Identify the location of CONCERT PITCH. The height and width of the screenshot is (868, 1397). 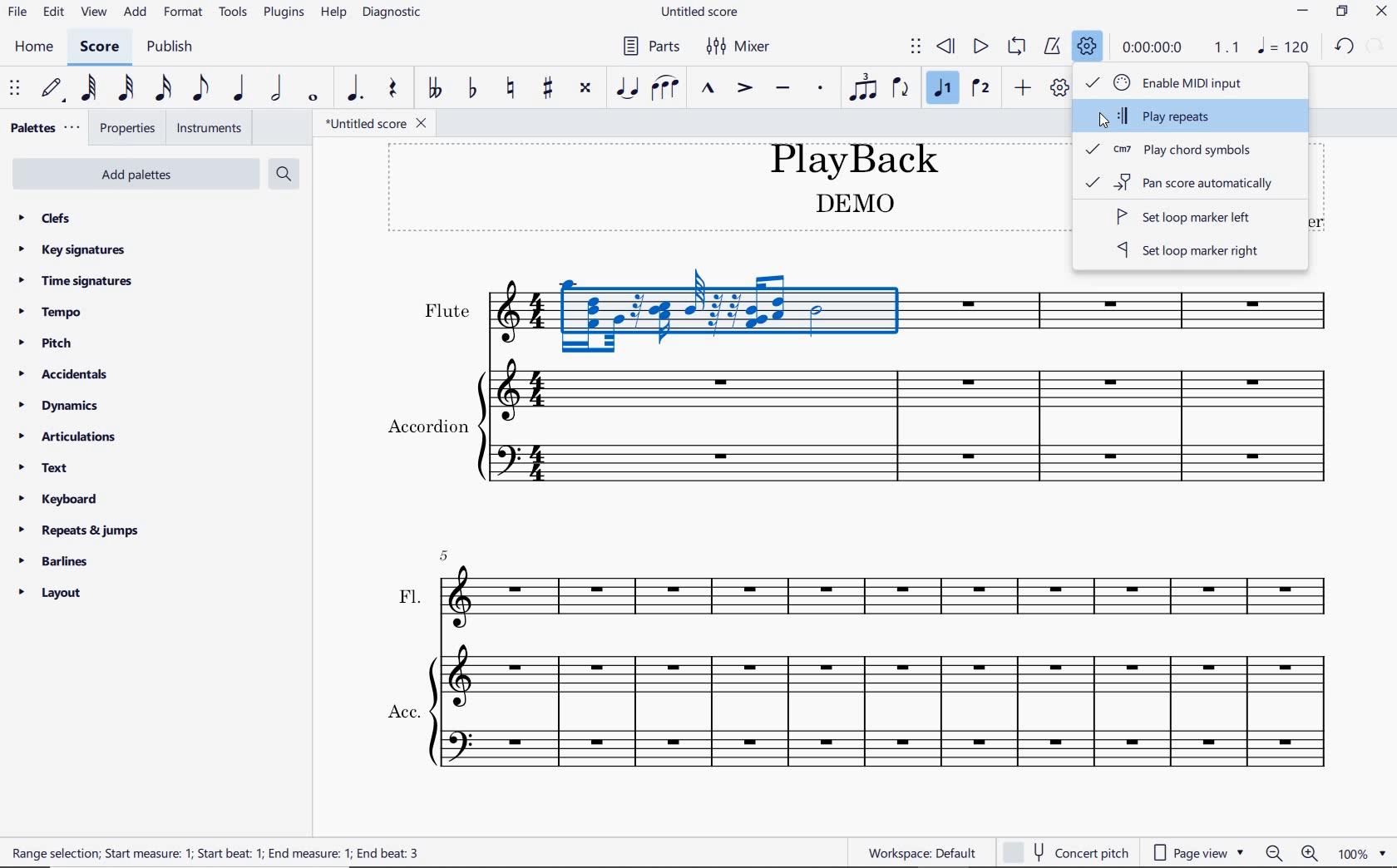
(1068, 852).